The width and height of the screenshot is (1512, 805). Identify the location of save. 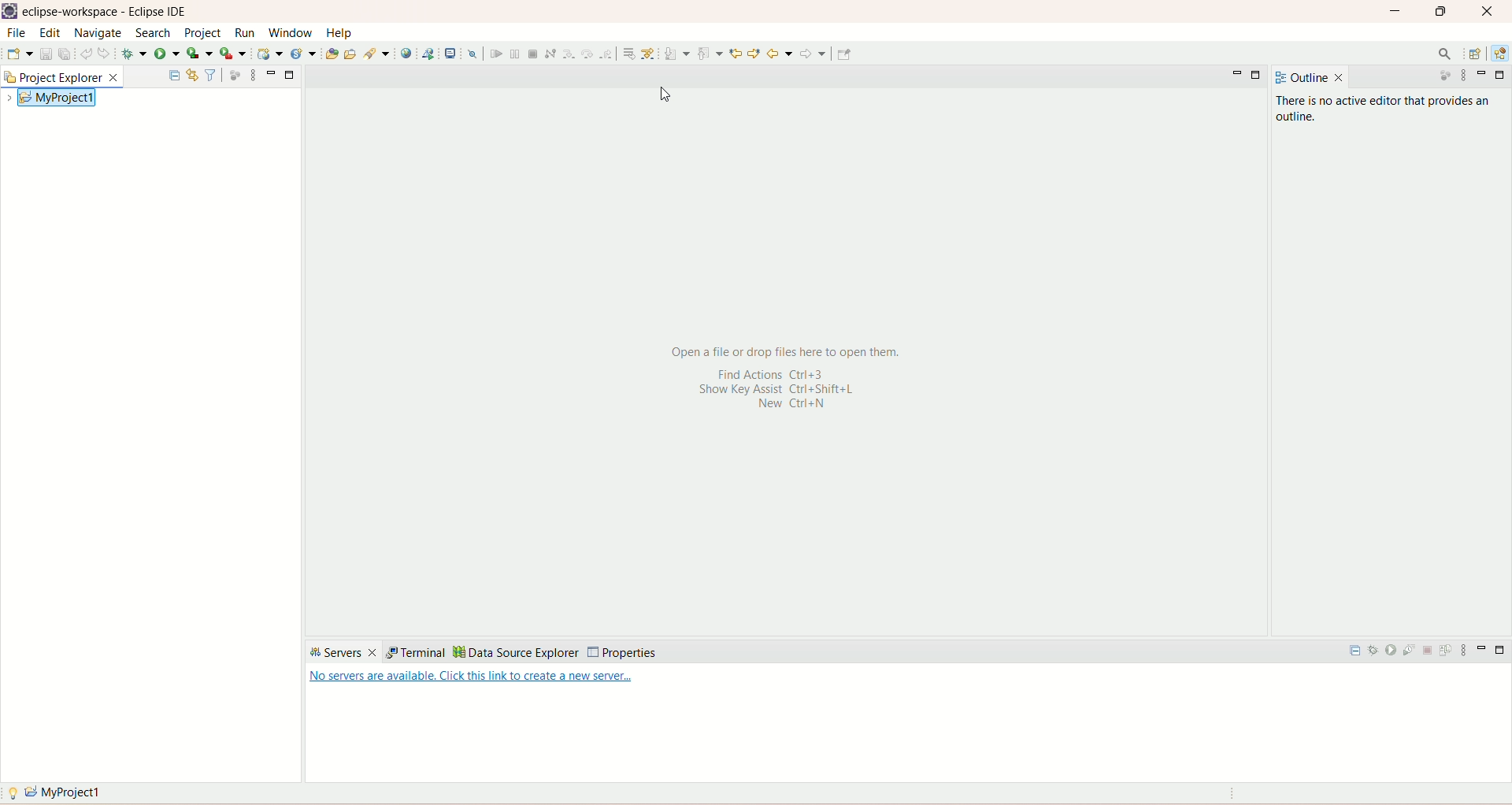
(19, 54).